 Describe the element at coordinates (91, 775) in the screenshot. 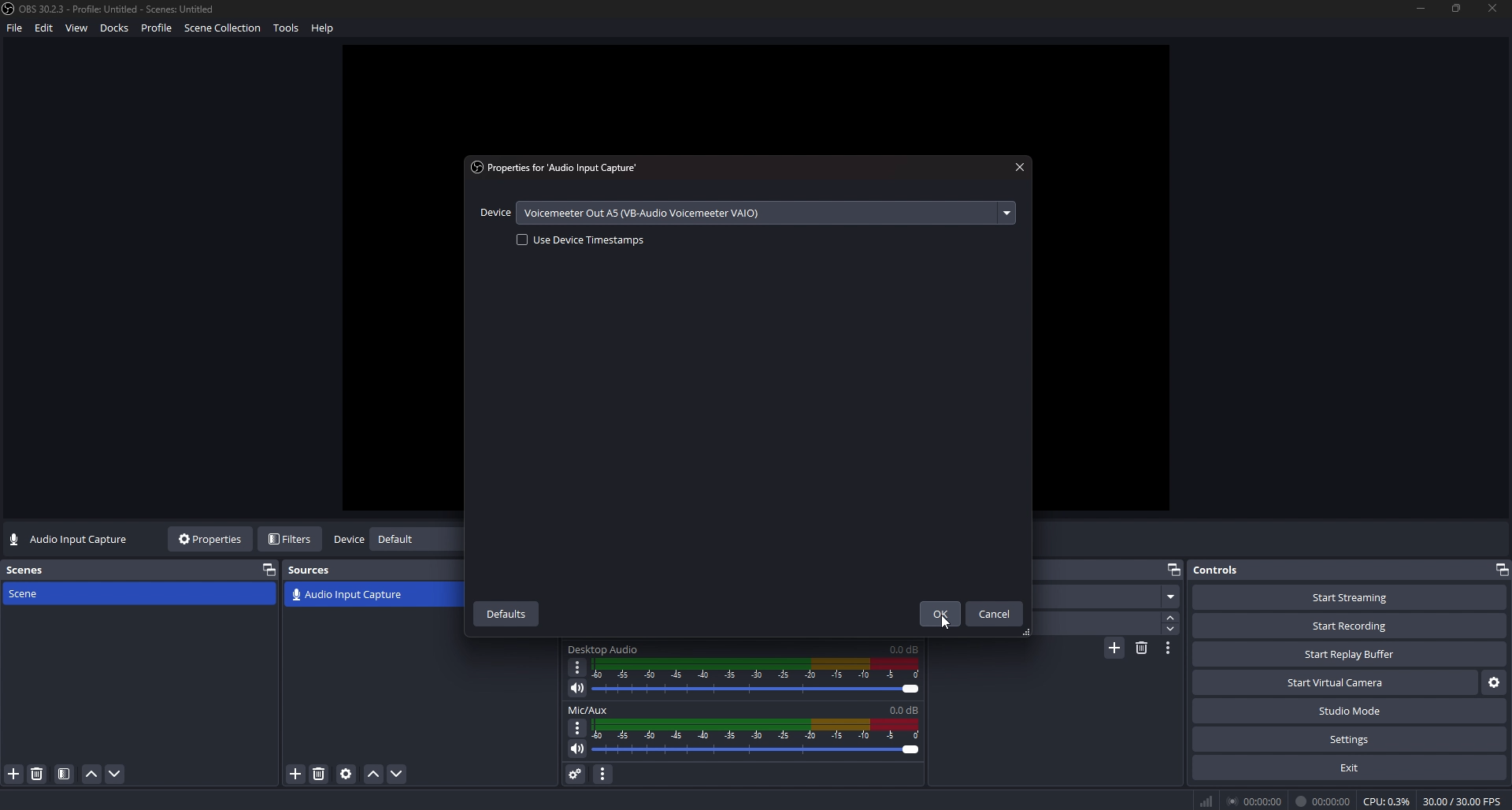

I see `move scene up` at that location.